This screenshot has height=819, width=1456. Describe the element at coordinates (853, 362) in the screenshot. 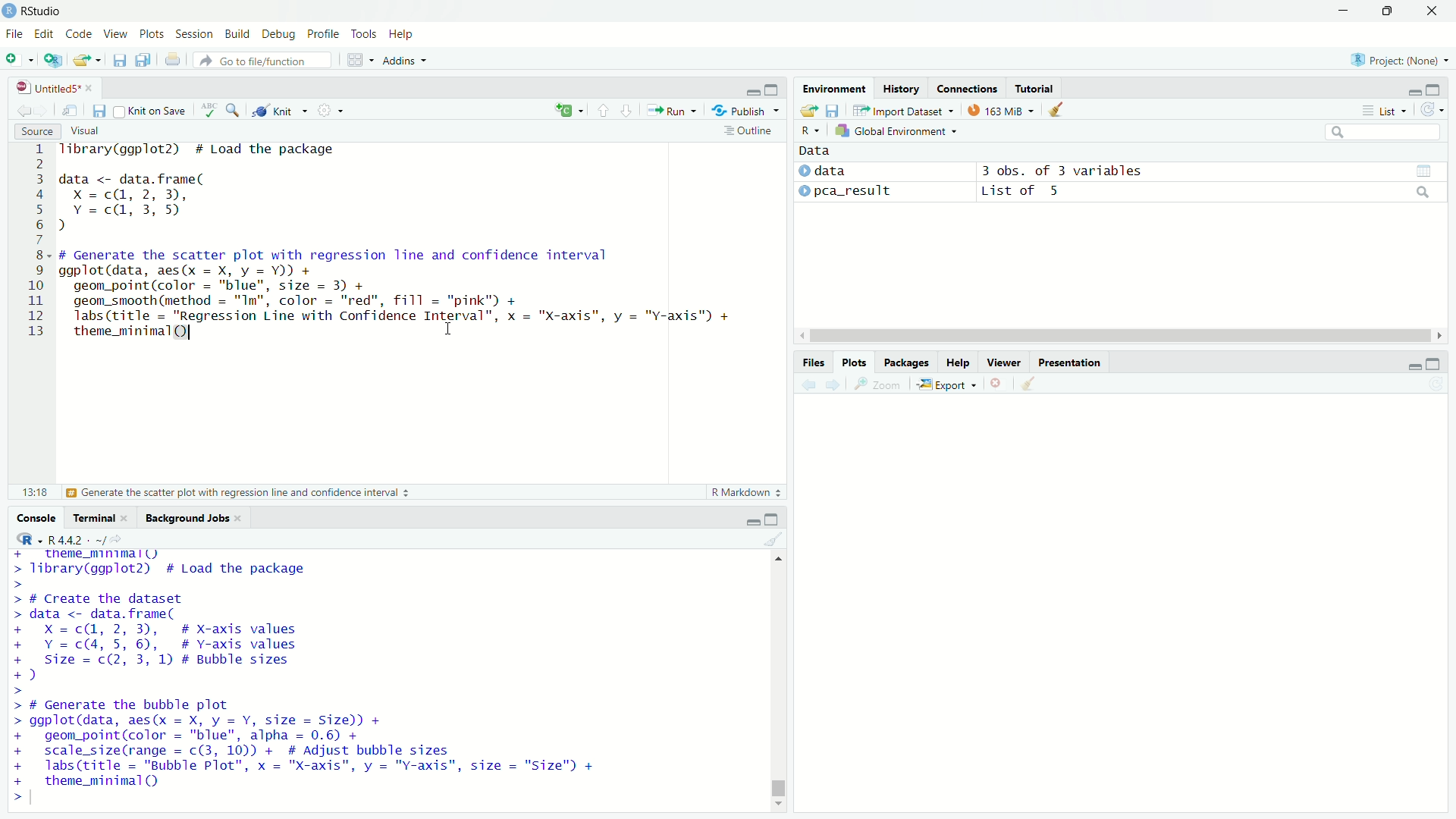

I see `Plots` at that location.